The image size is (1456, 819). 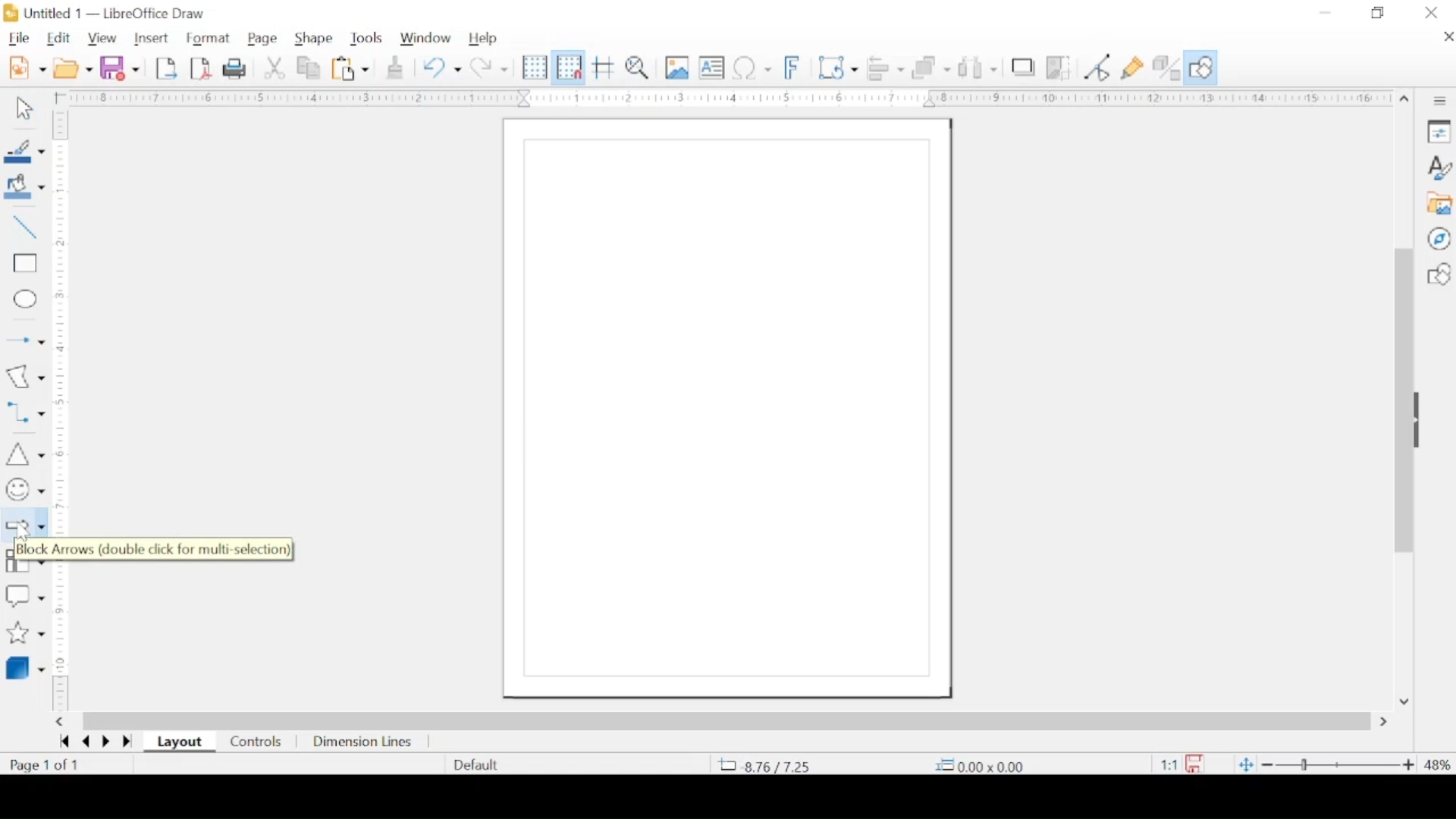 What do you see at coordinates (275, 67) in the screenshot?
I see `cut` at bounding box center [275, 67].